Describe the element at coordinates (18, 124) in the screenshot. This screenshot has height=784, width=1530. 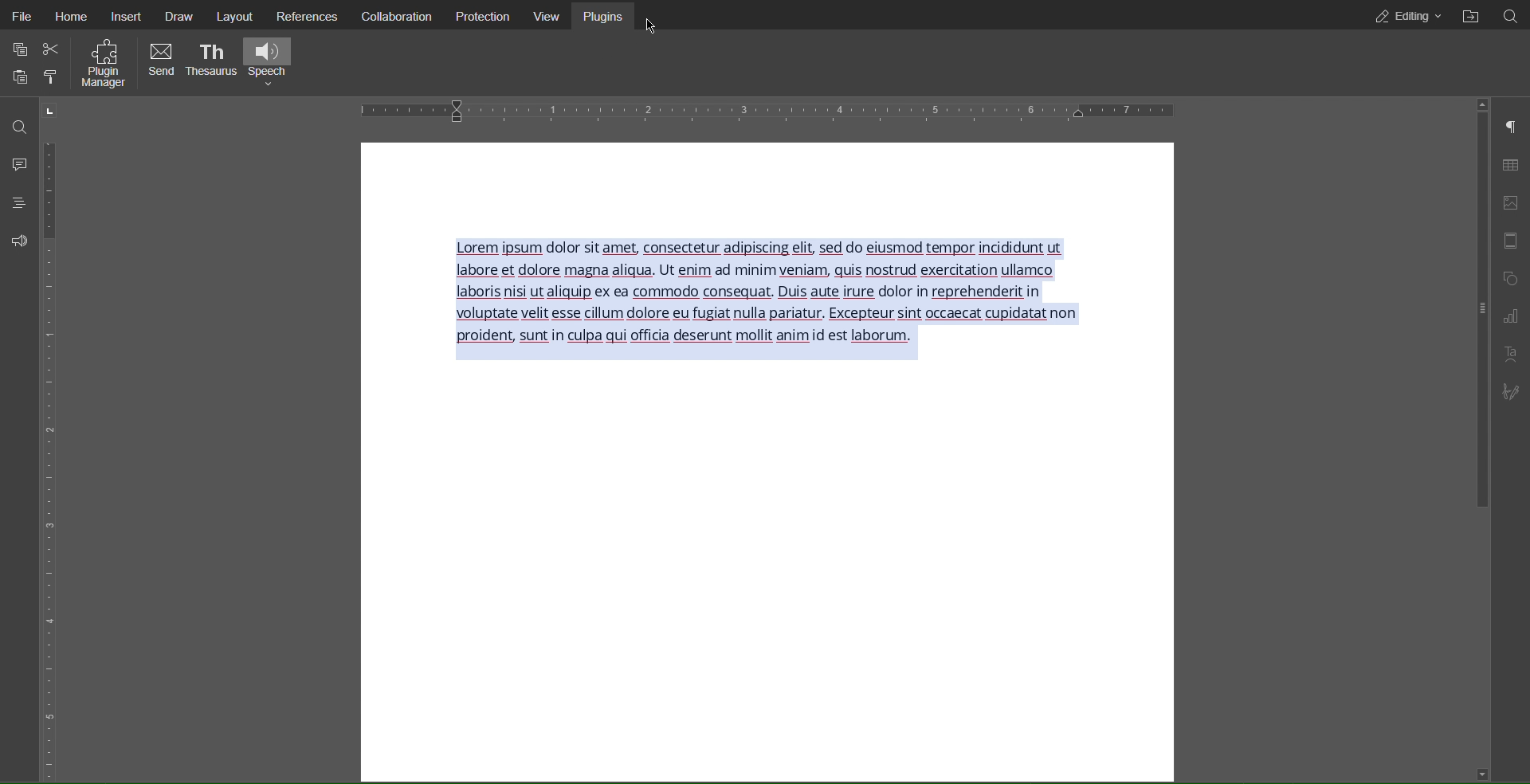
I see `Search` at that location.